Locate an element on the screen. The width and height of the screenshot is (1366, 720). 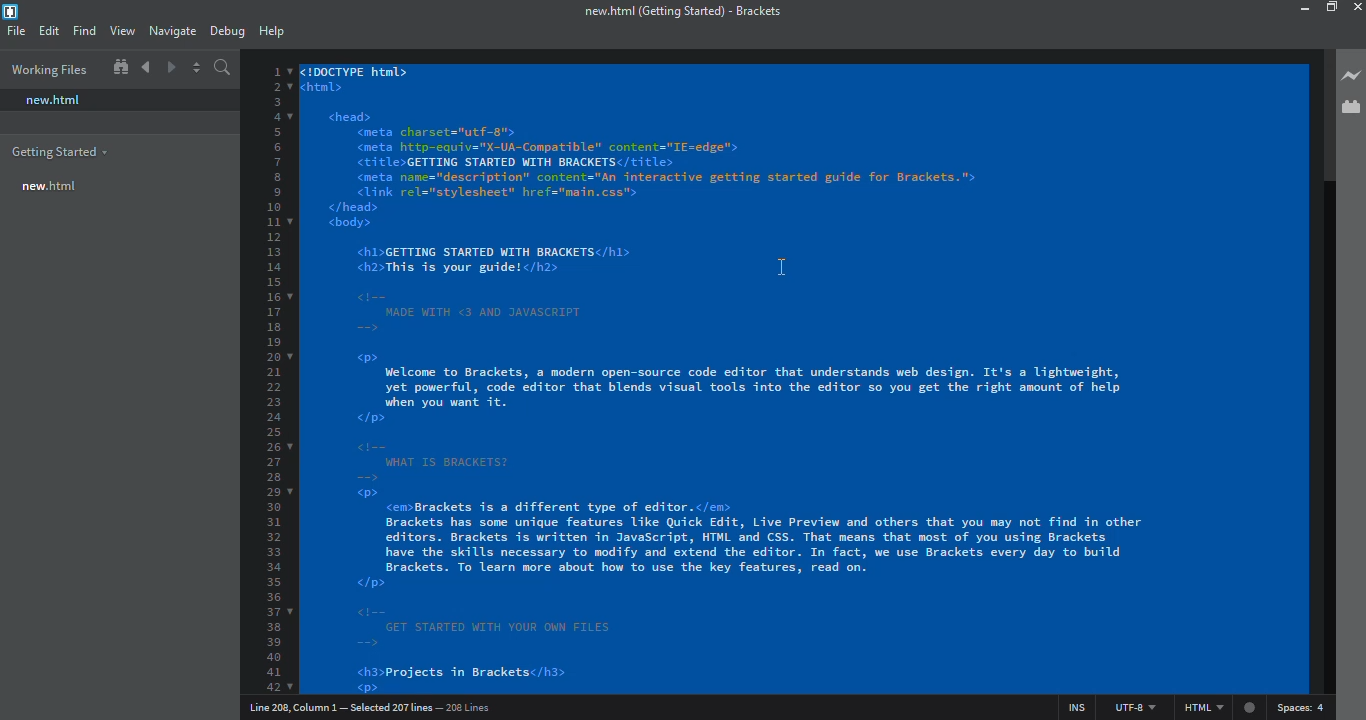
scroll bar is located at coordinates (1323, 123).